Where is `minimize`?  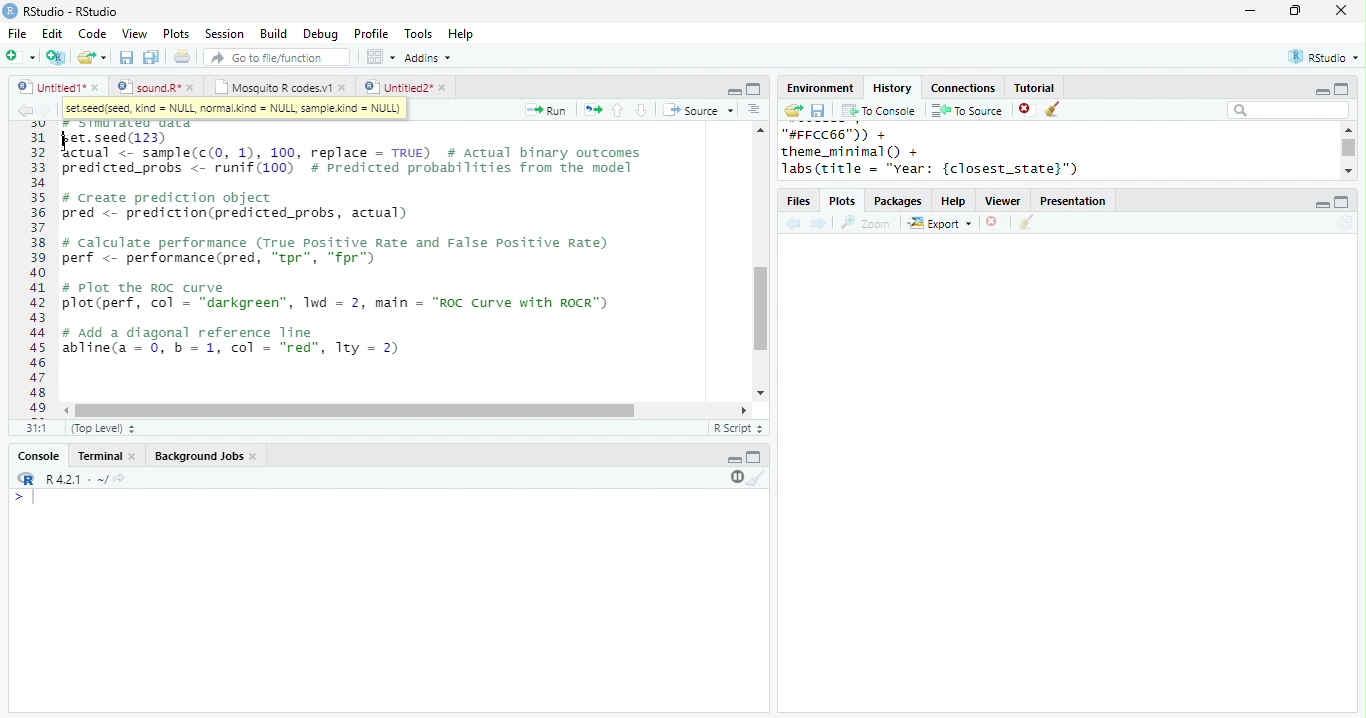
minimize is located at coordinates (734, 90).